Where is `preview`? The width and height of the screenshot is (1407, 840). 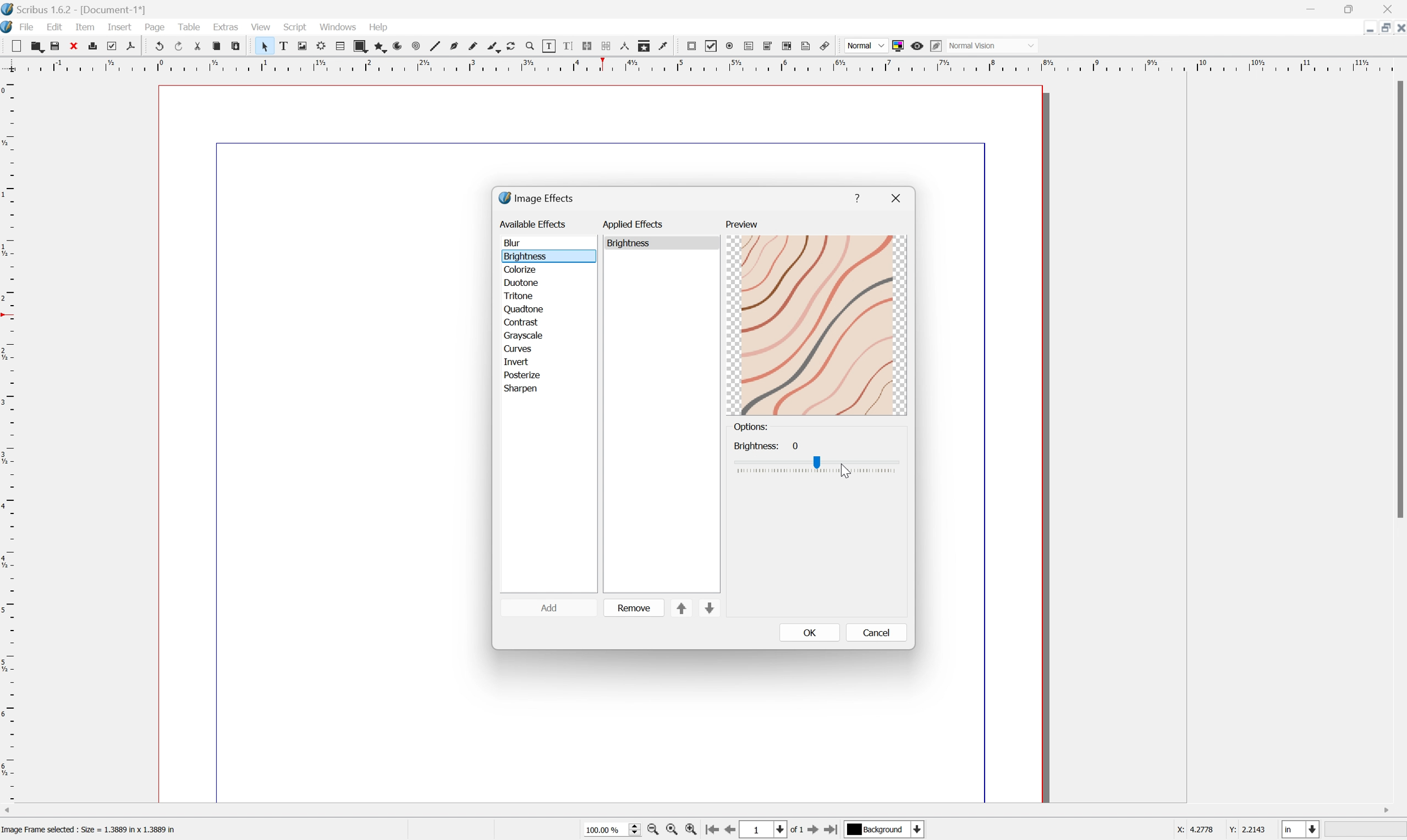
preview is located at coordinates (742, 226).